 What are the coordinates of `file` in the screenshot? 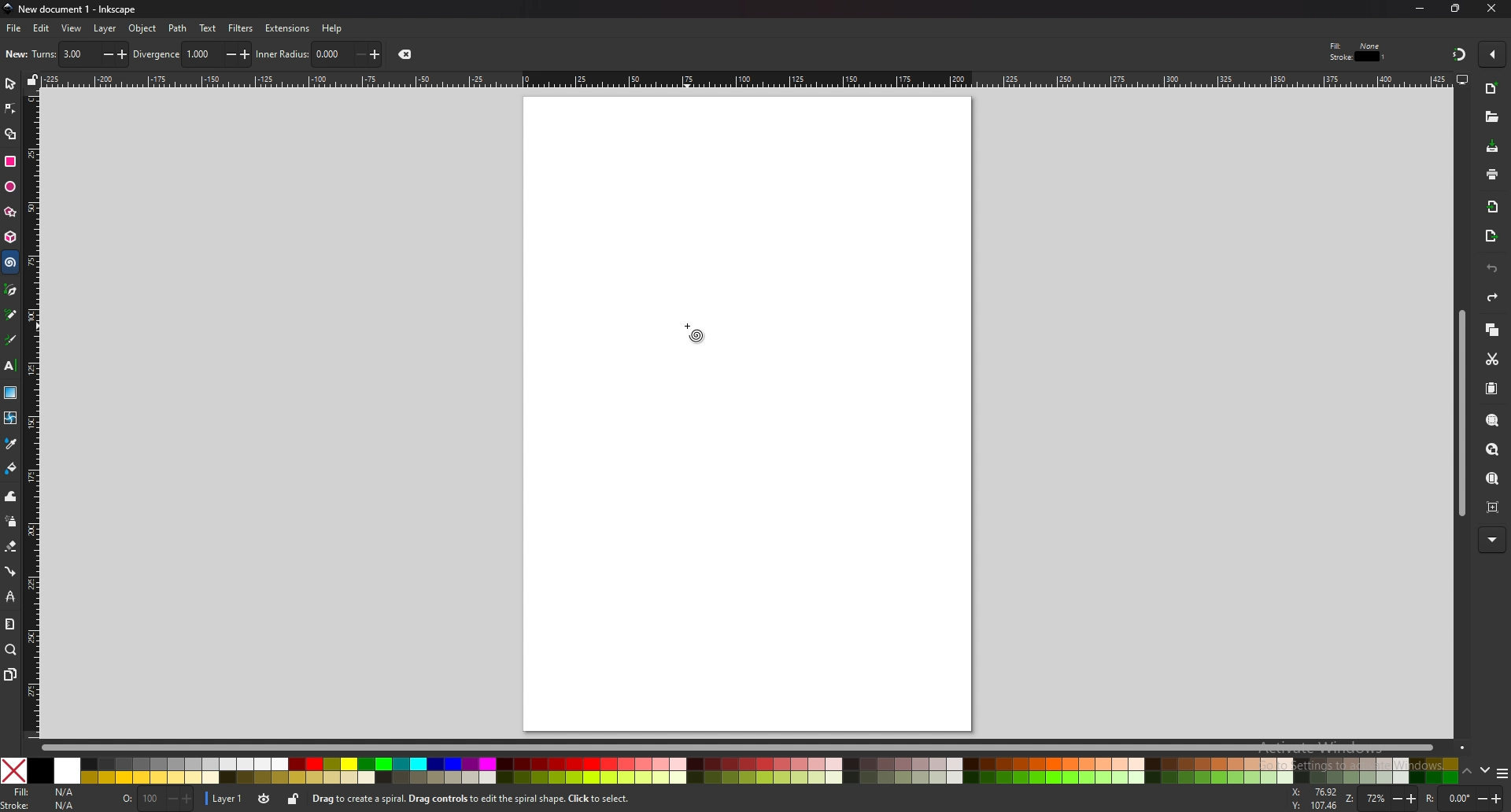 It's located at (14, 29).